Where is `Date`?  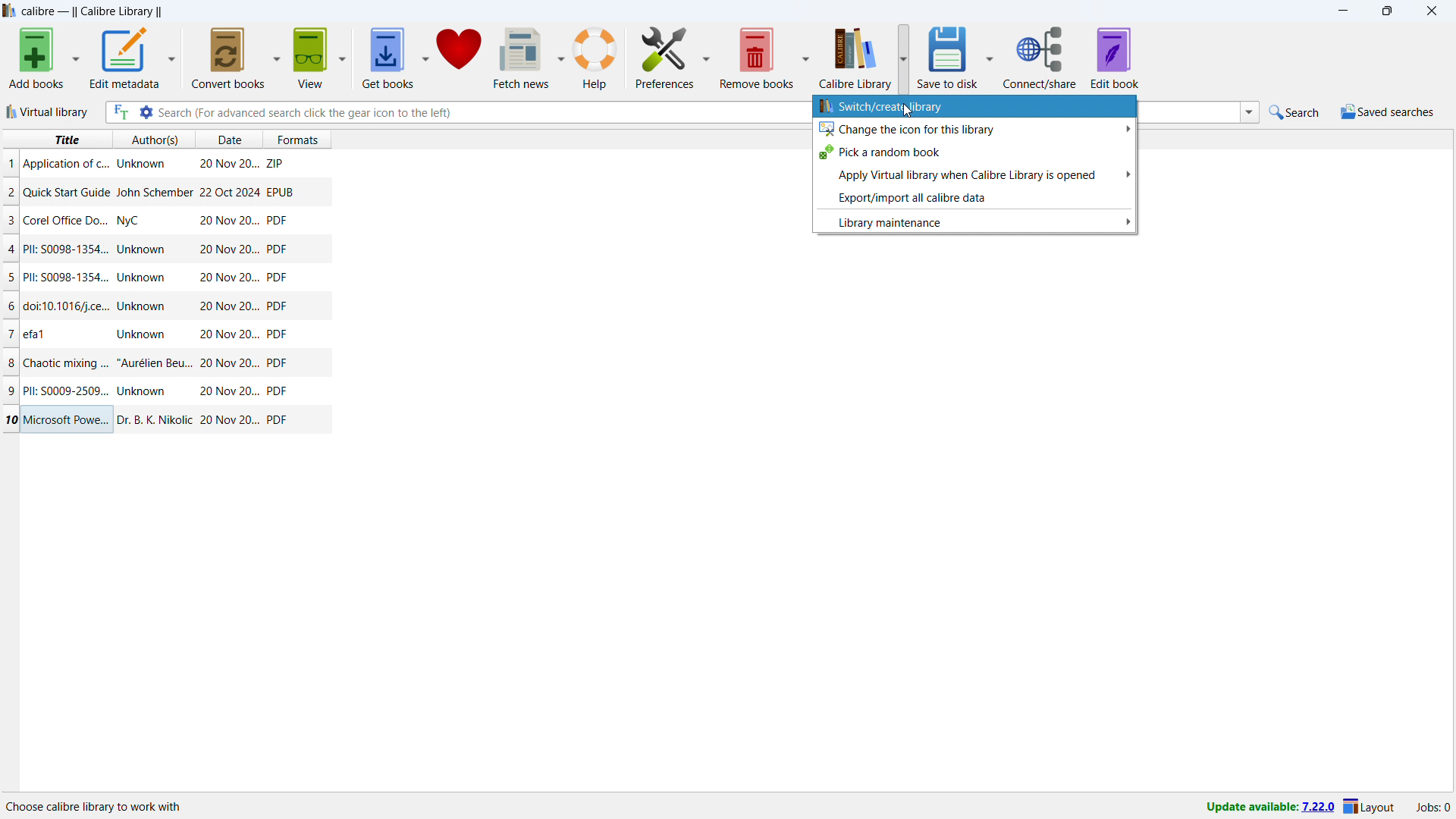
Date is located at coordinates (227, 391).